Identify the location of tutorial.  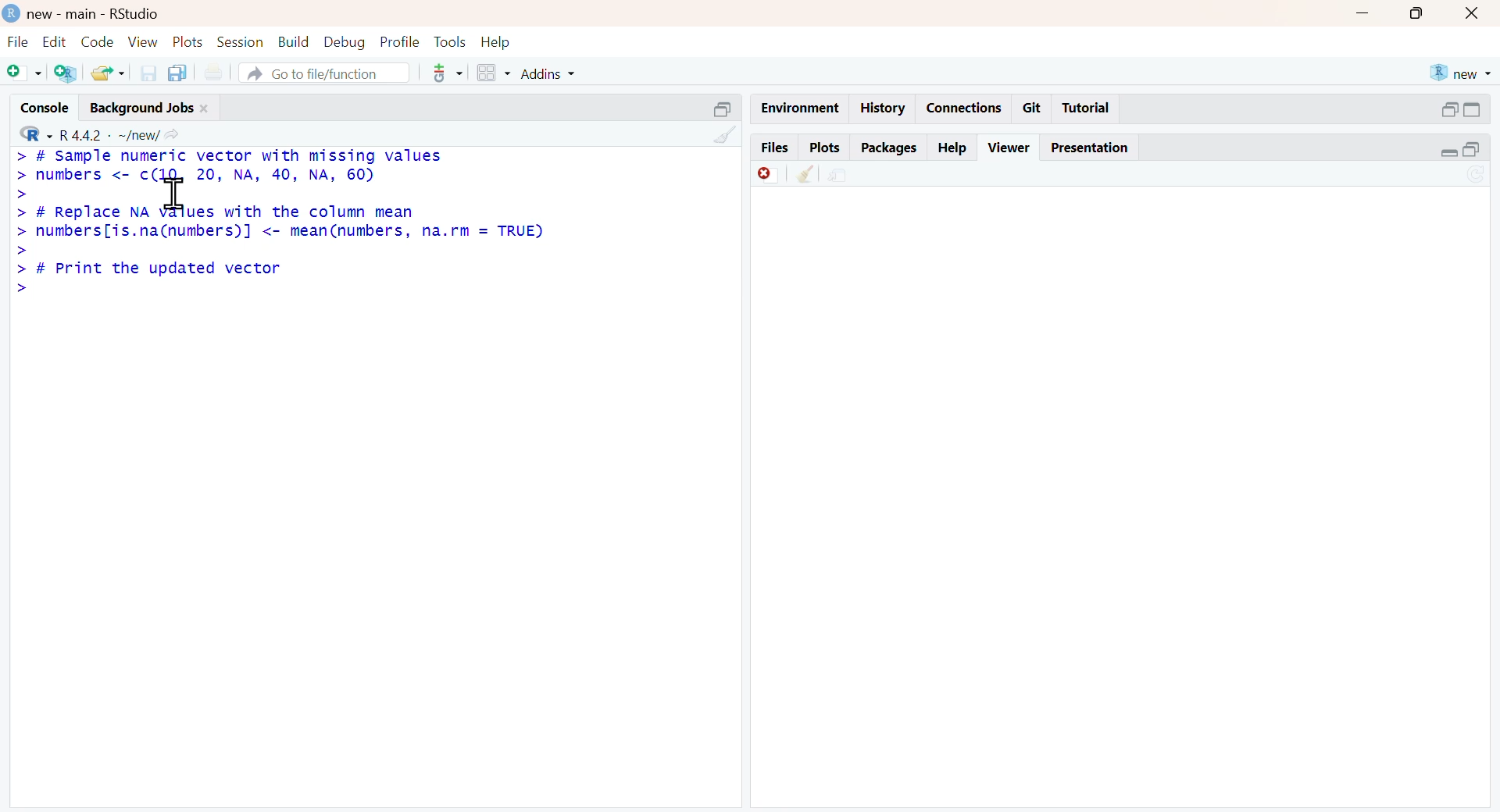
(1087, 109).